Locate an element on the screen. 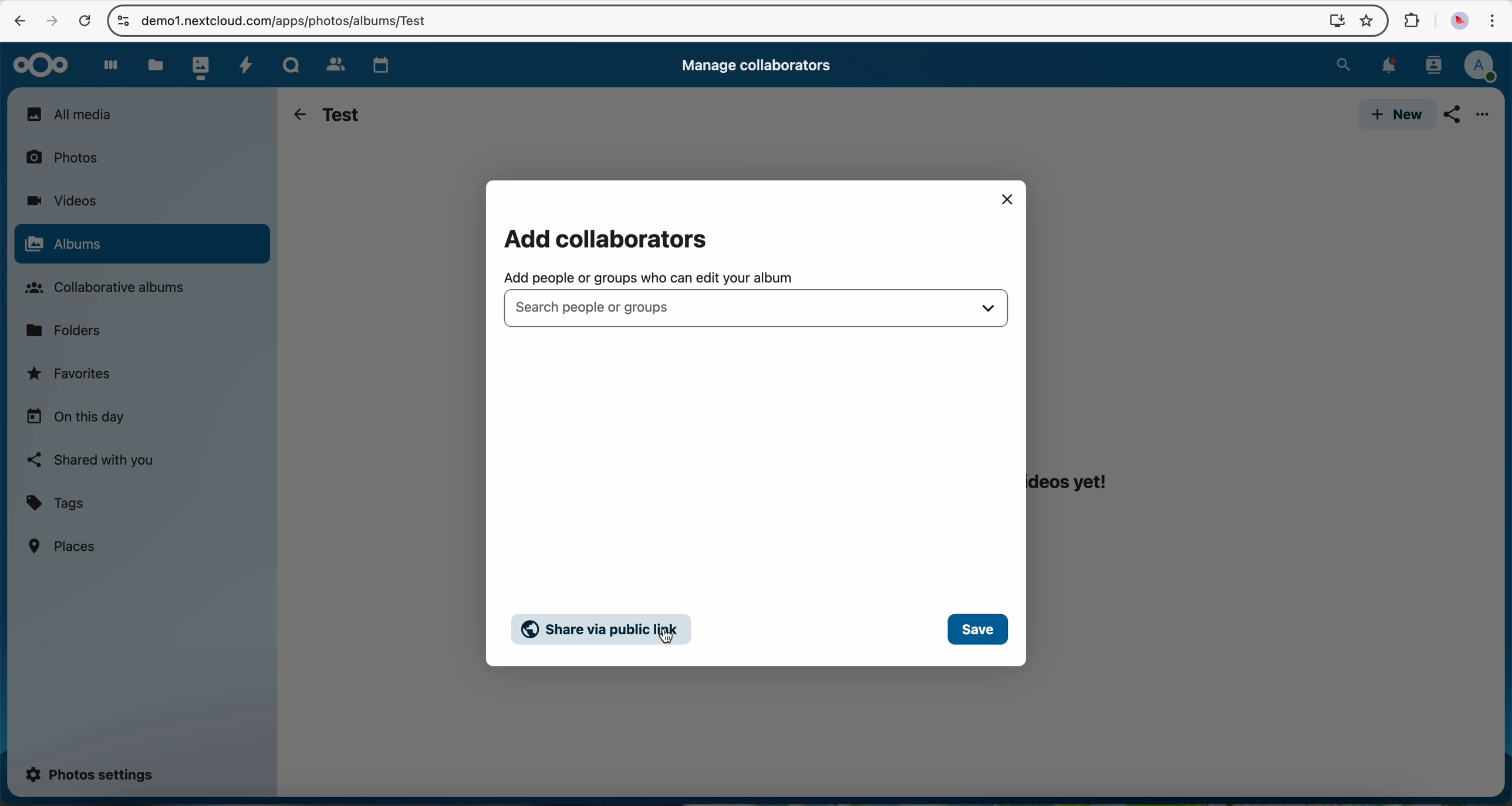  collaborative albums is located at coordinates (112, 288).